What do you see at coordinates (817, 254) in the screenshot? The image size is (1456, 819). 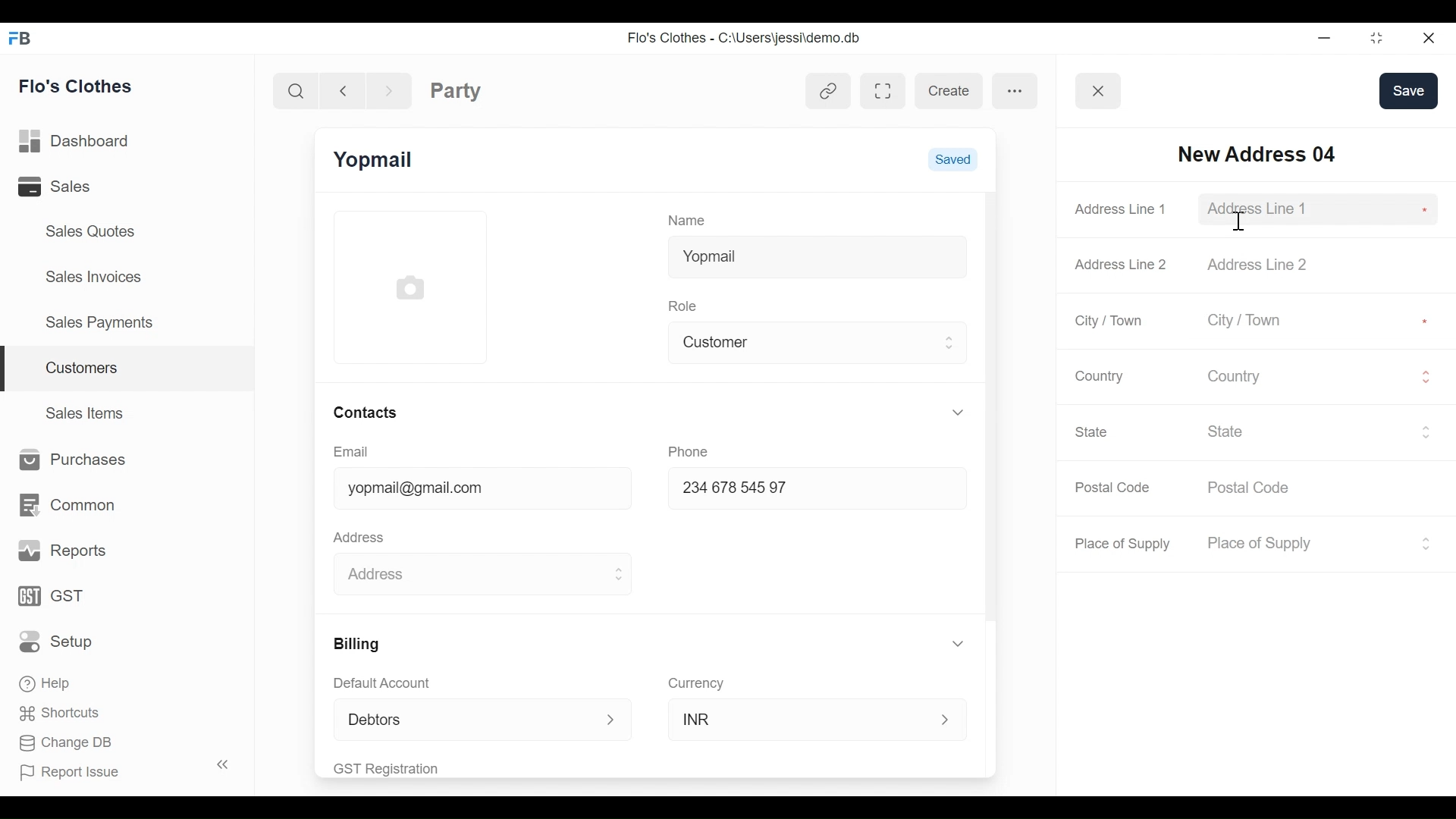 I see `Yopmail` at bounding box center [817, 254].